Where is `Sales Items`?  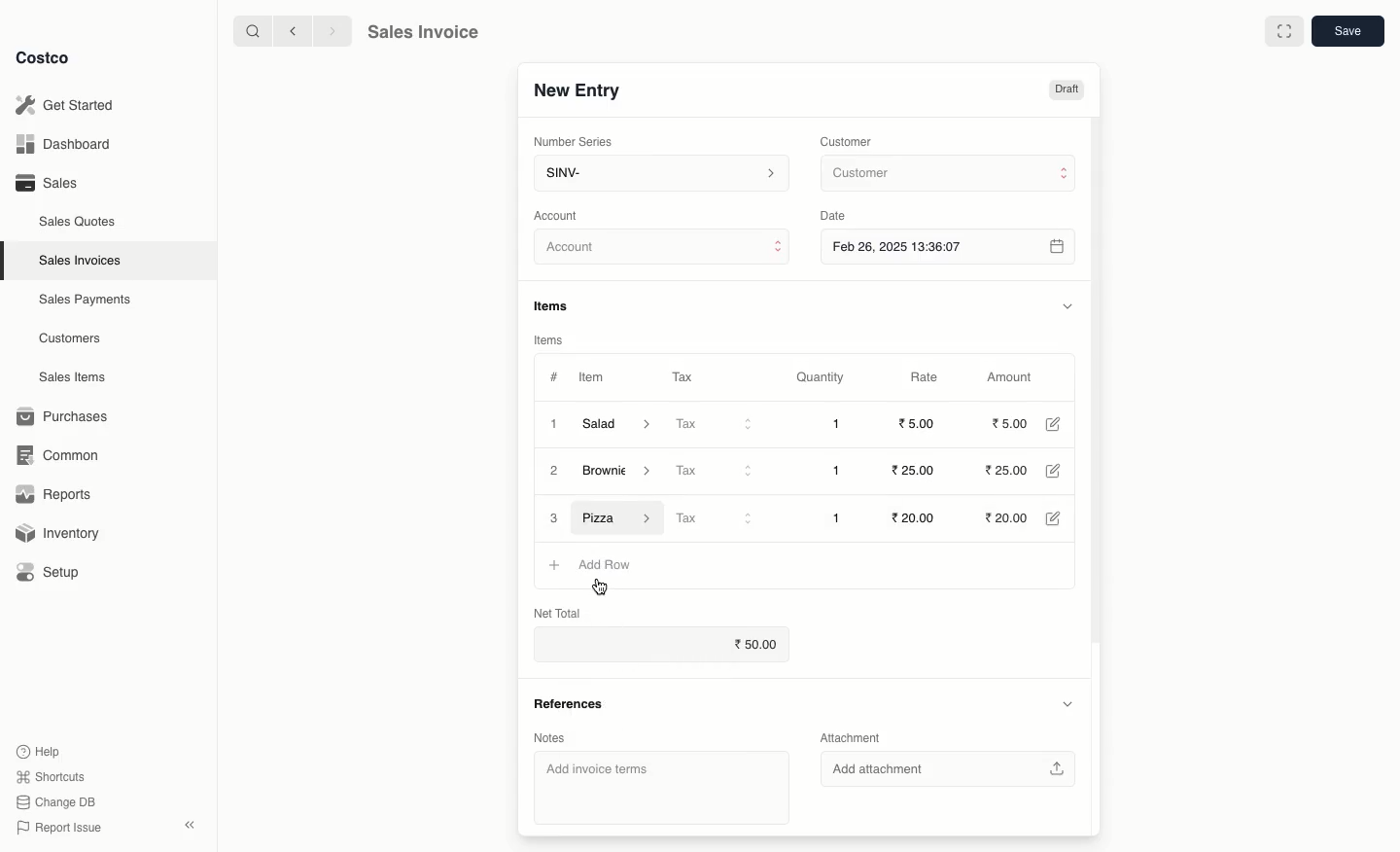 Sales Items is located at coordinates (77, 377).